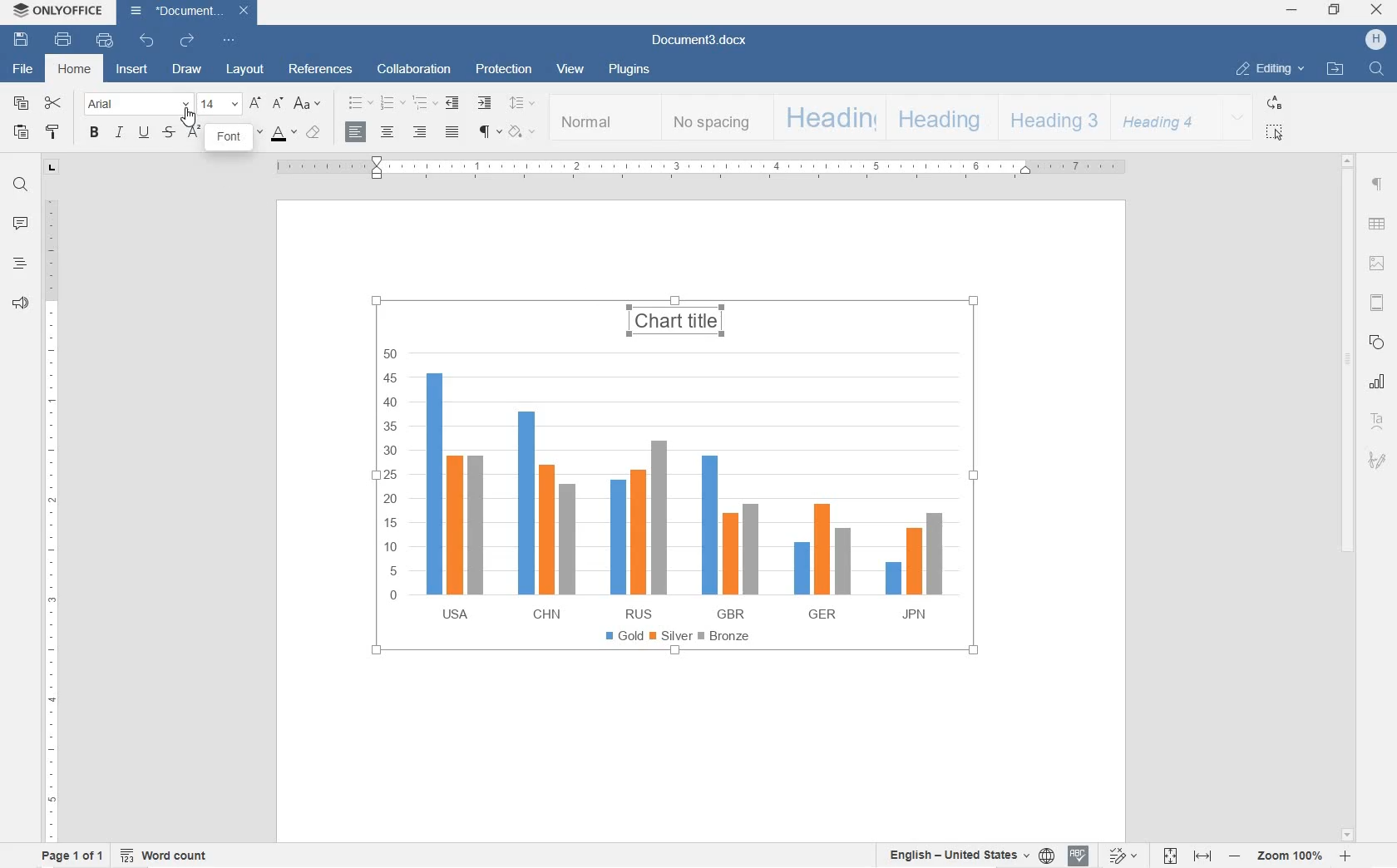 This screenshot has width=1397, height=868. What do you see at coordinates (1292, 854) in the screenshot?
I see `ZOOM IN OR OUT` at bounding box center [1292, 854].